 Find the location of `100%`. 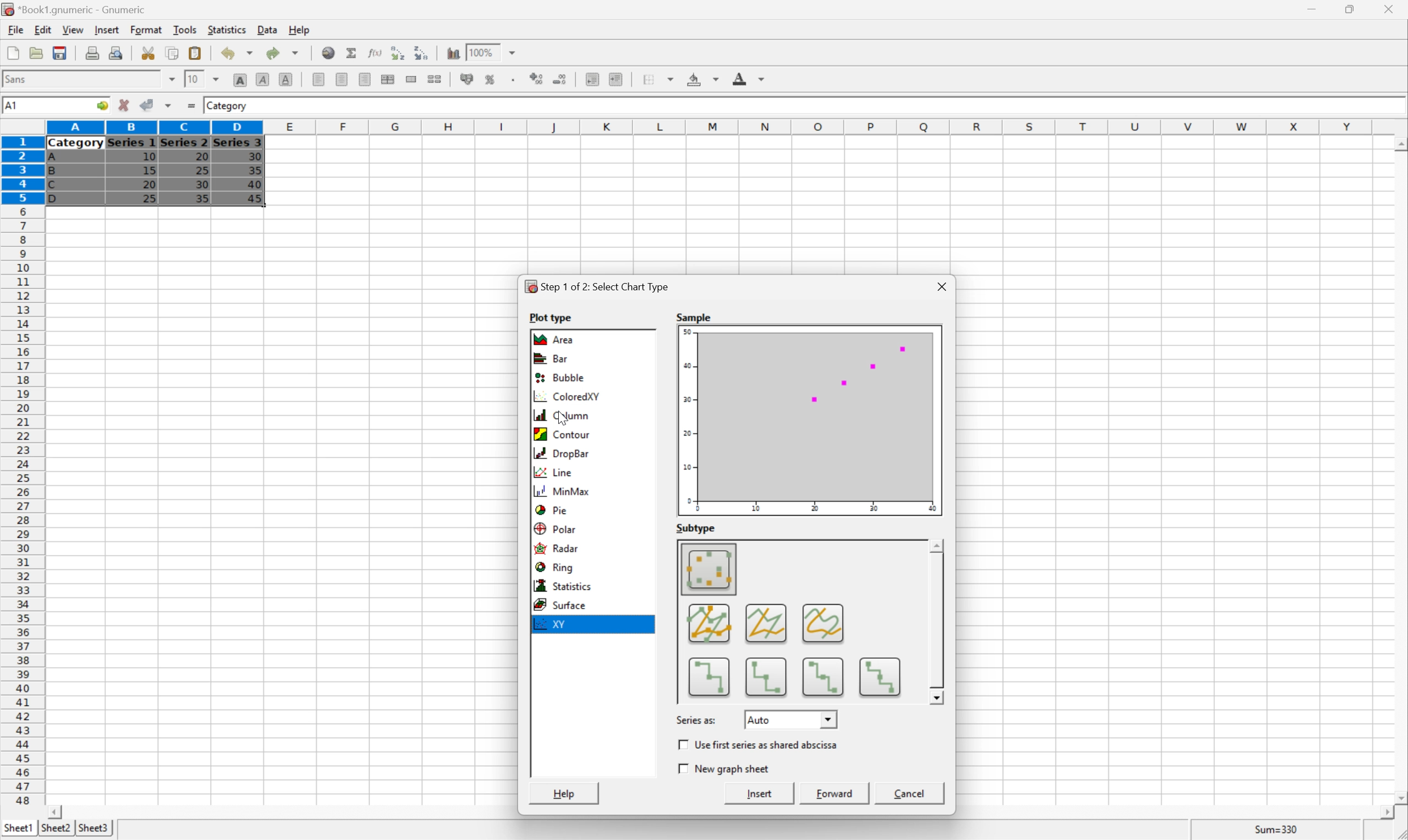

100% is located at coordinates (482, 52).